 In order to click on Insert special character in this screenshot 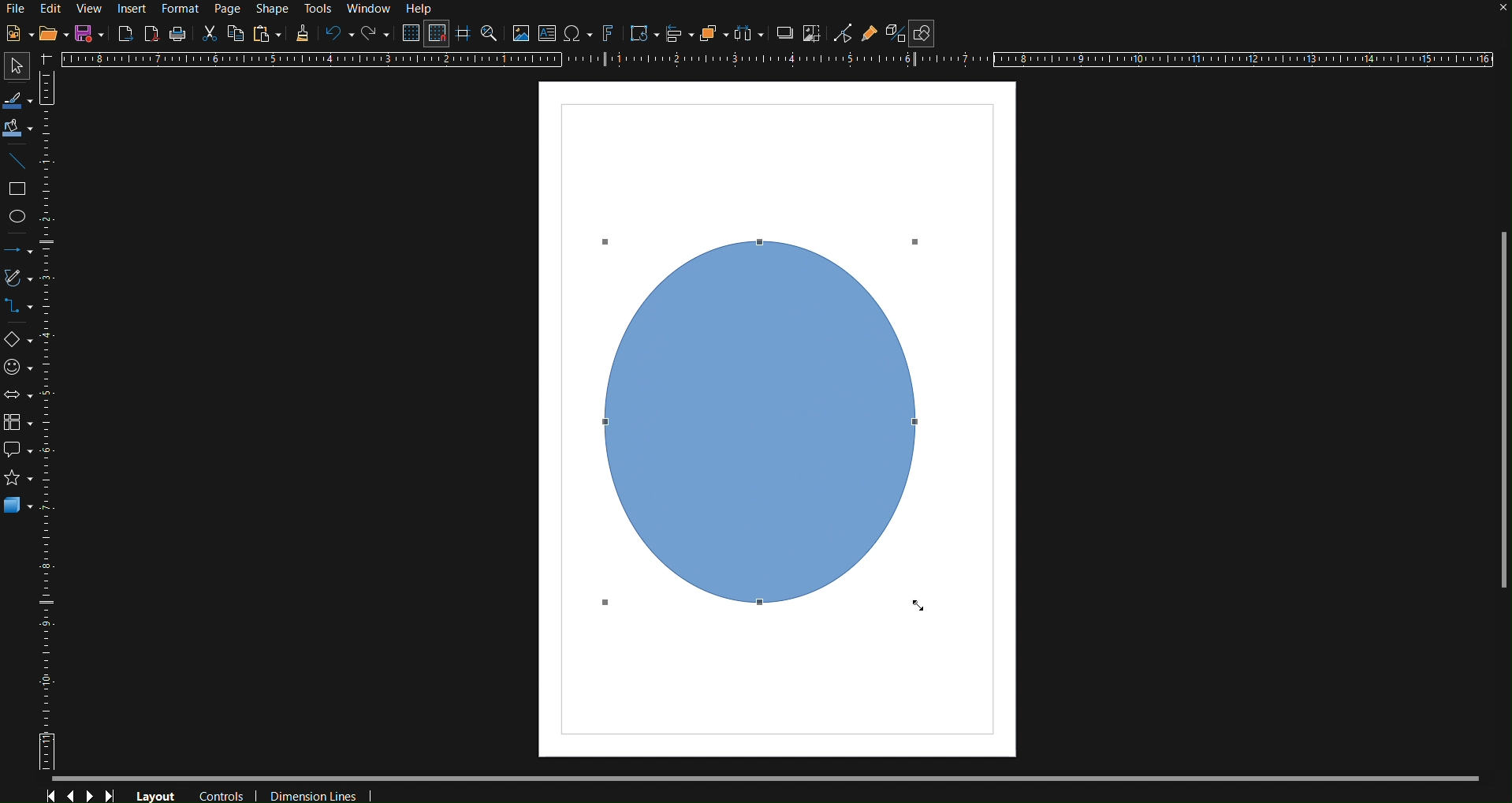, I will do `click(576, 35)`.